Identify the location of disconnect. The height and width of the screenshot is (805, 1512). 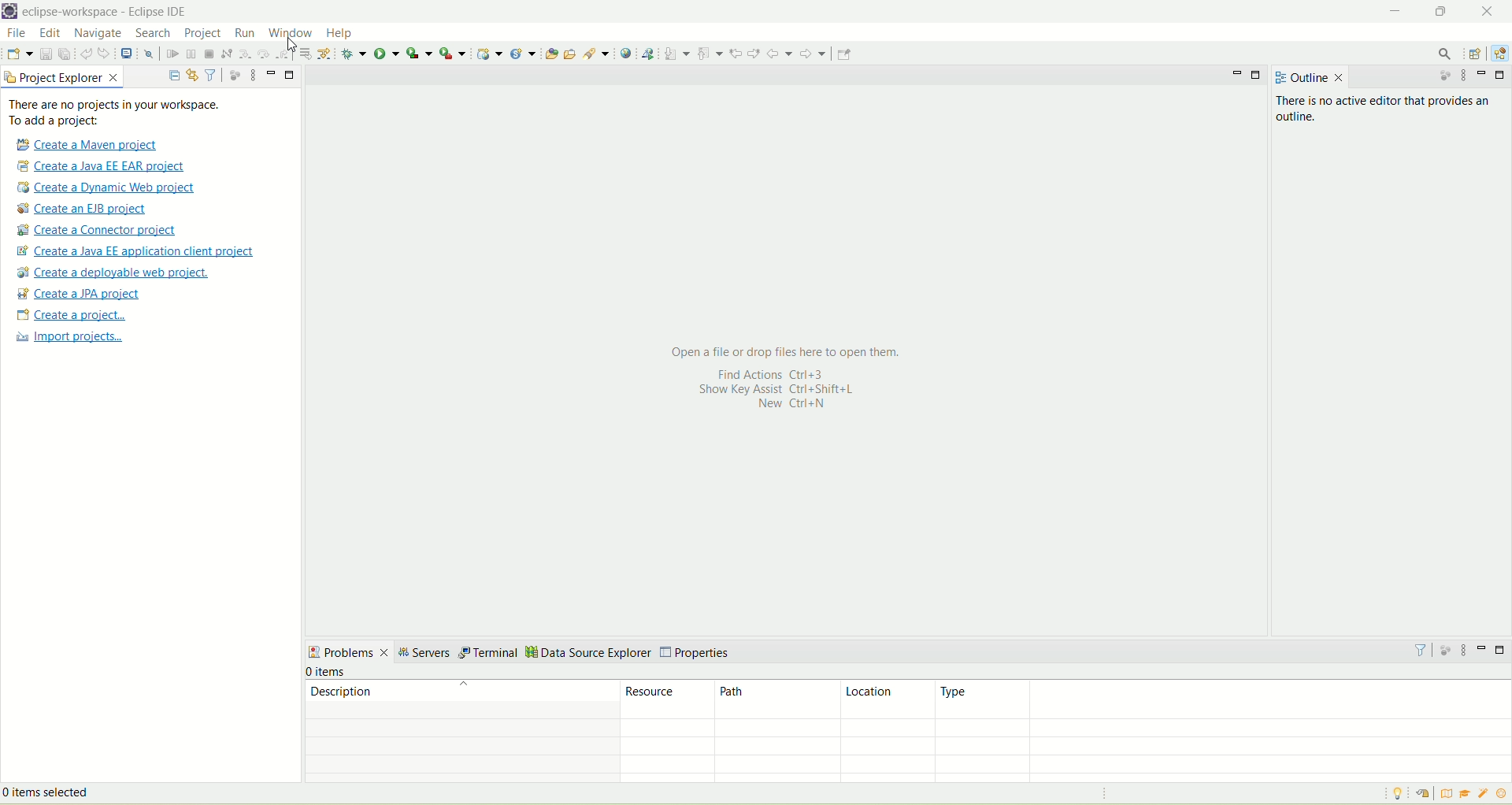
(226, 54).